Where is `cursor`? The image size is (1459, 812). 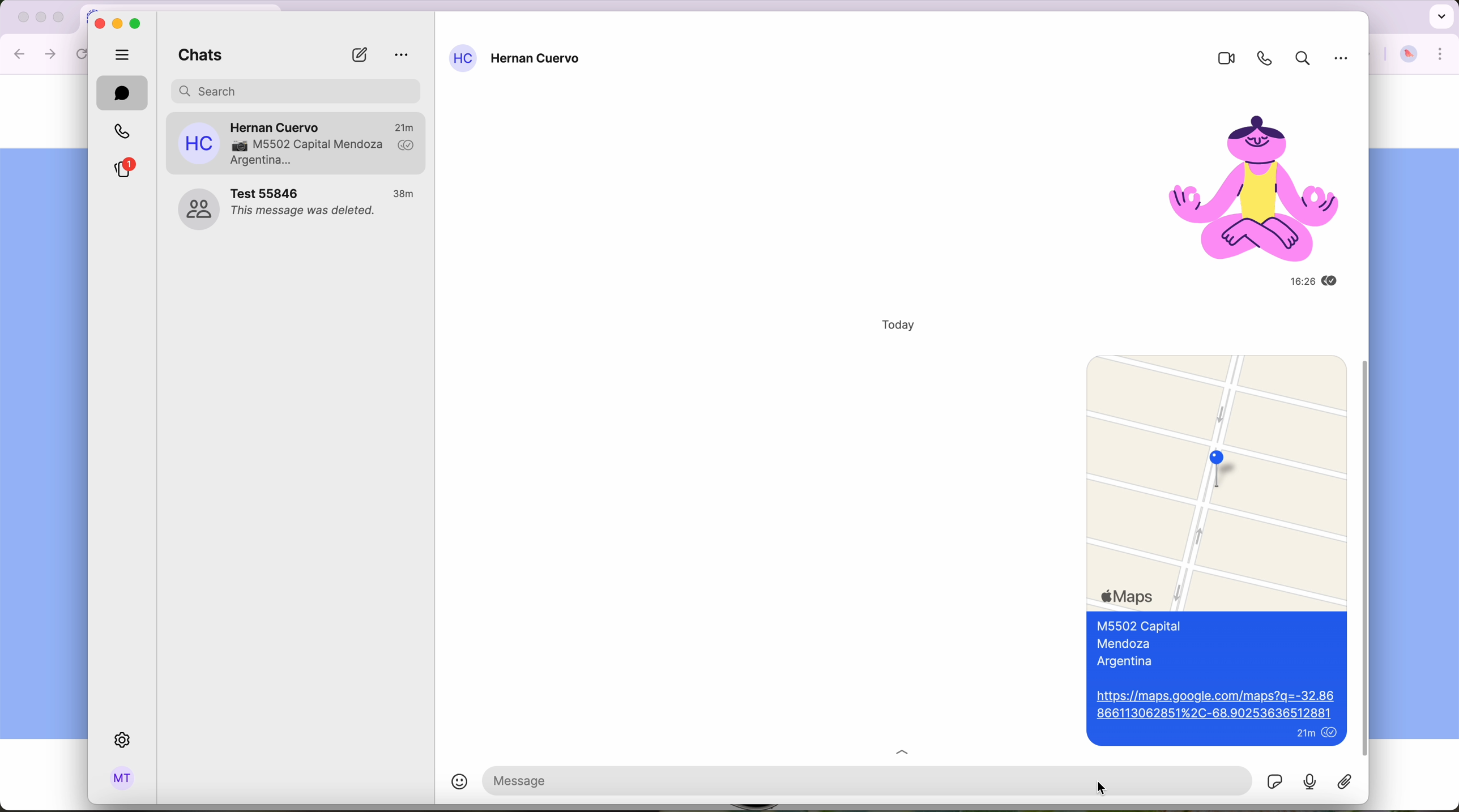
cursor is located at coordinates (1101, 788).